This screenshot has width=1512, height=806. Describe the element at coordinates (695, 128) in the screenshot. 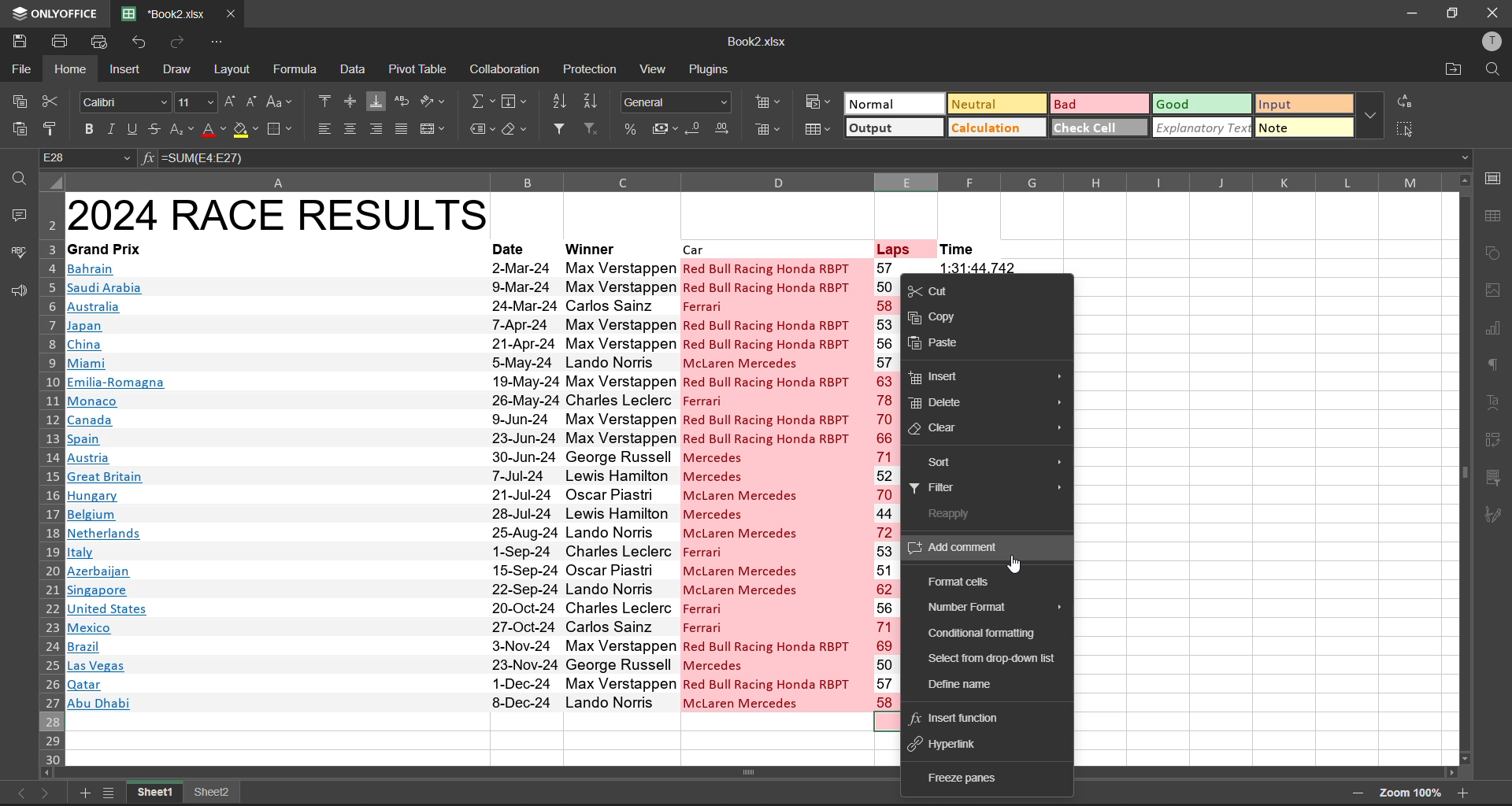

I see `decrease decimal` at that location.